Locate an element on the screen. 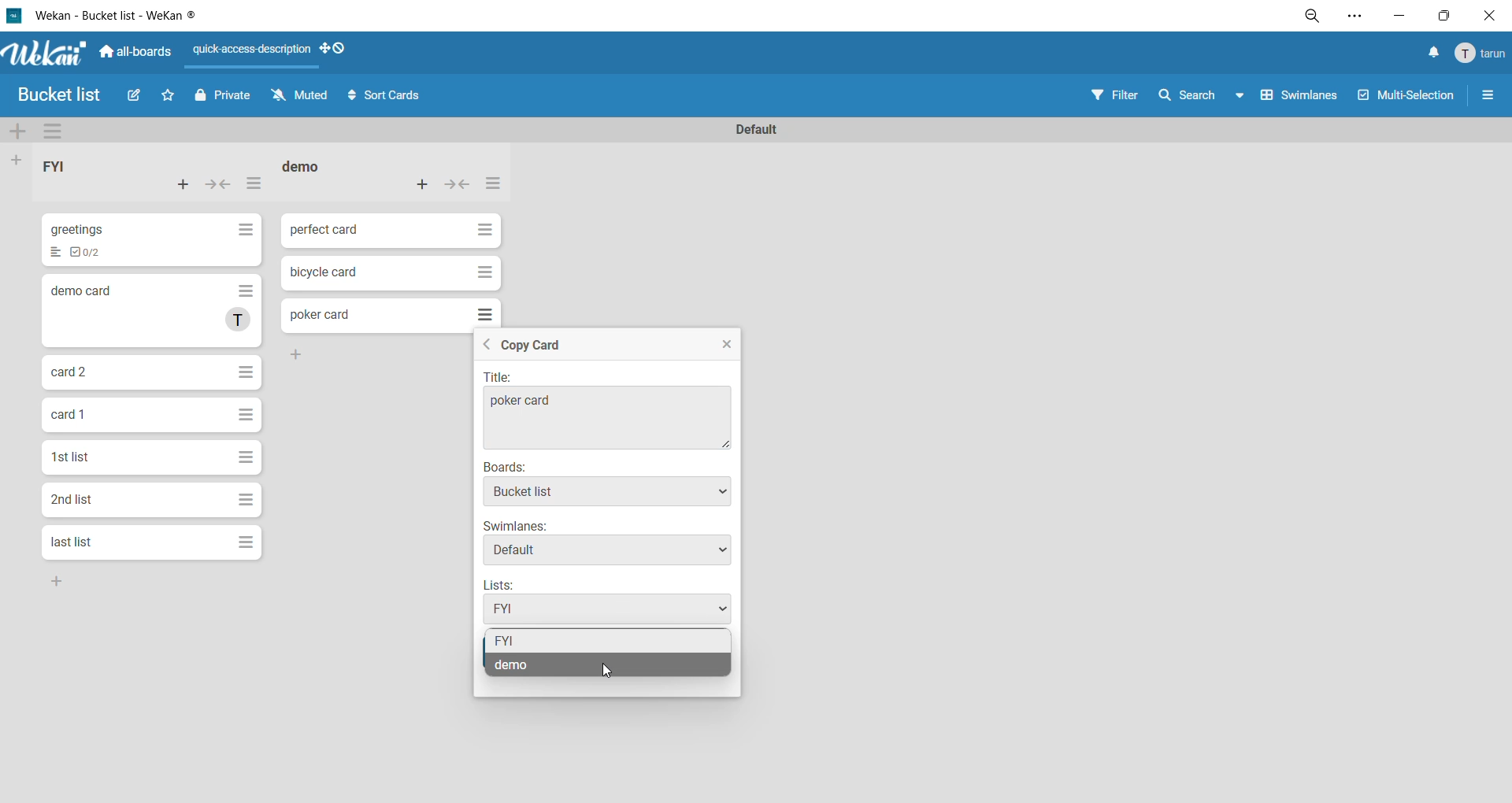  Hamburger is located at coordinates (485, 313).